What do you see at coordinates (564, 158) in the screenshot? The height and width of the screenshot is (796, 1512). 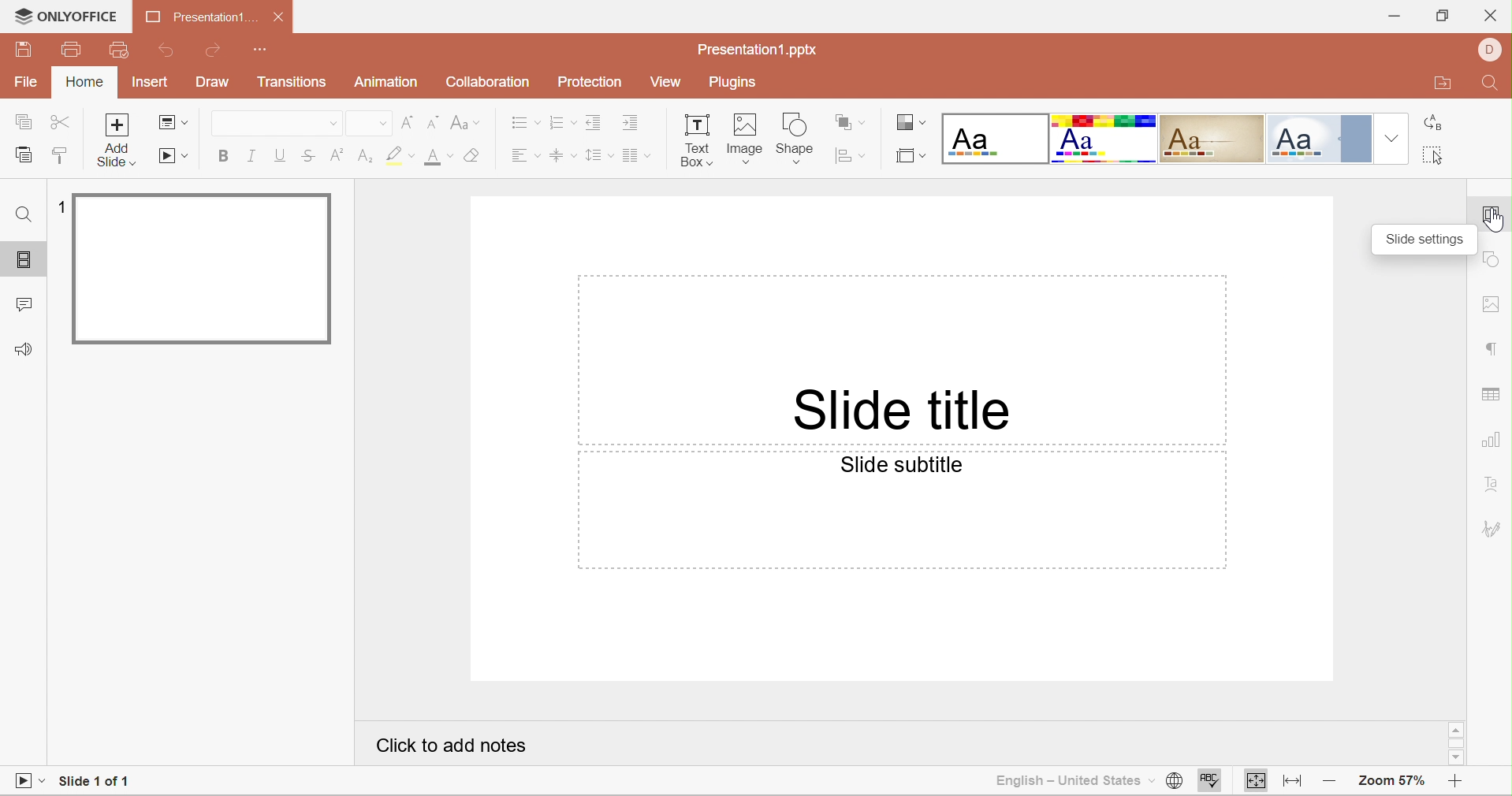 I see `Vertical Align` at bounding box center [564, 158].